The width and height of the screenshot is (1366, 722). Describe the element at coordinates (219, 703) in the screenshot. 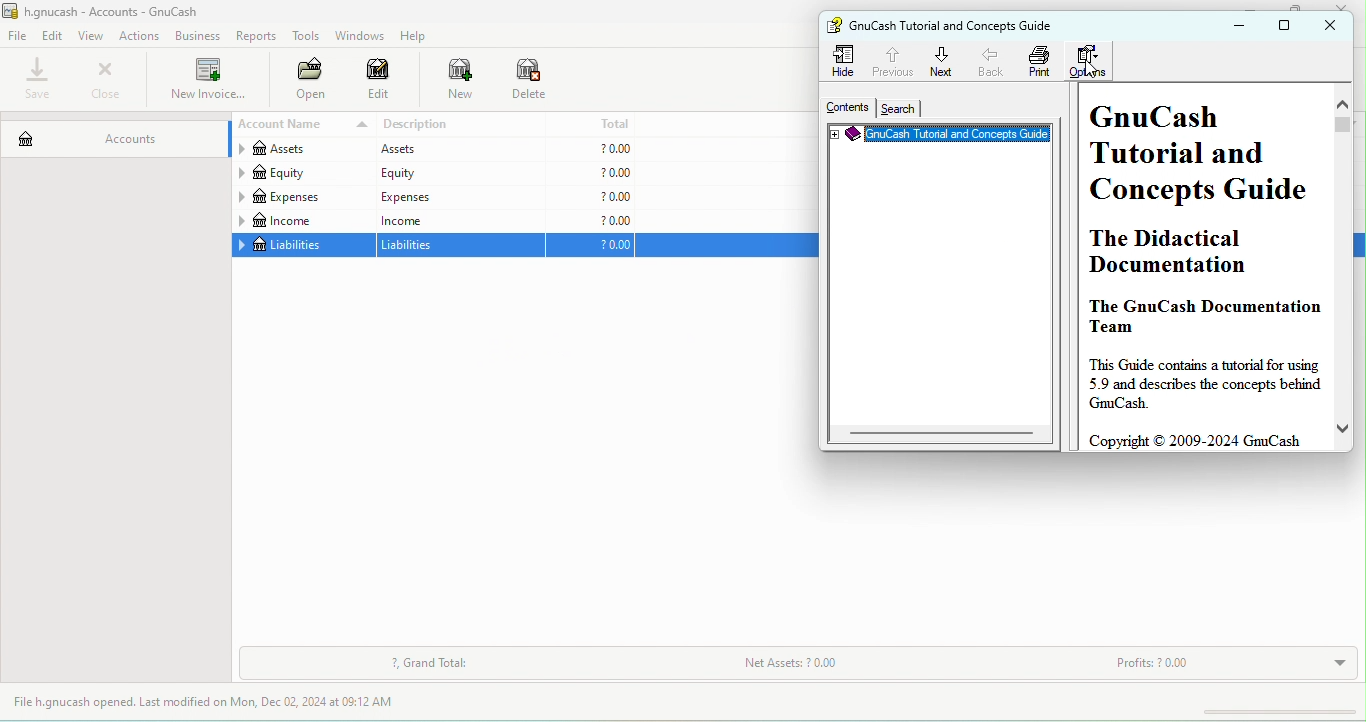

I see `file h.gnucash opened last modified on mon, dec 02,2024 at 09.12 am` at that location.